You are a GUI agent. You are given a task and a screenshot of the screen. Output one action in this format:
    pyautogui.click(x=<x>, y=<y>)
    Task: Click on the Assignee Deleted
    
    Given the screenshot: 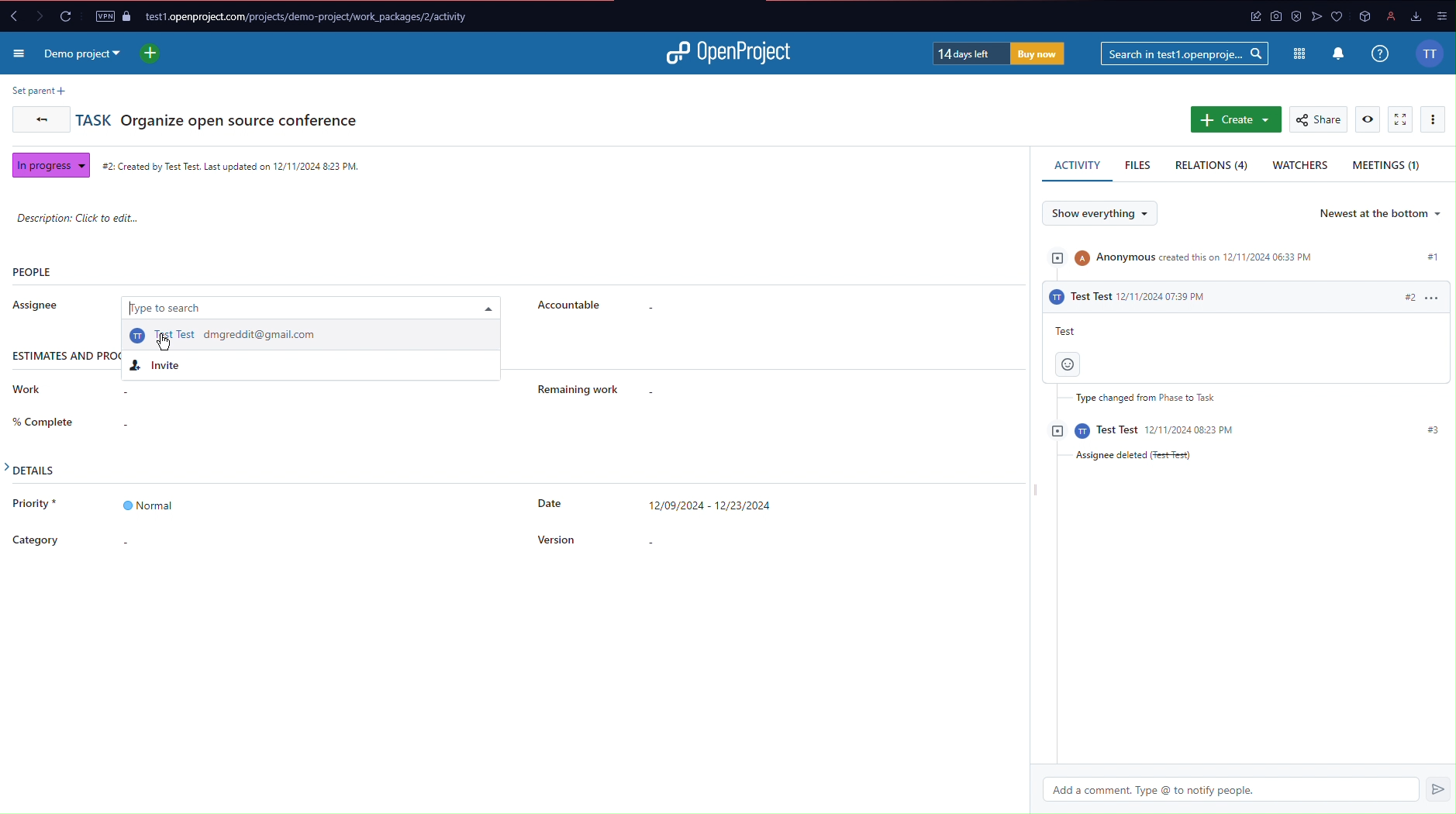 What is the action you would take?
    pyautogui.click(x=1127, y=457)
    